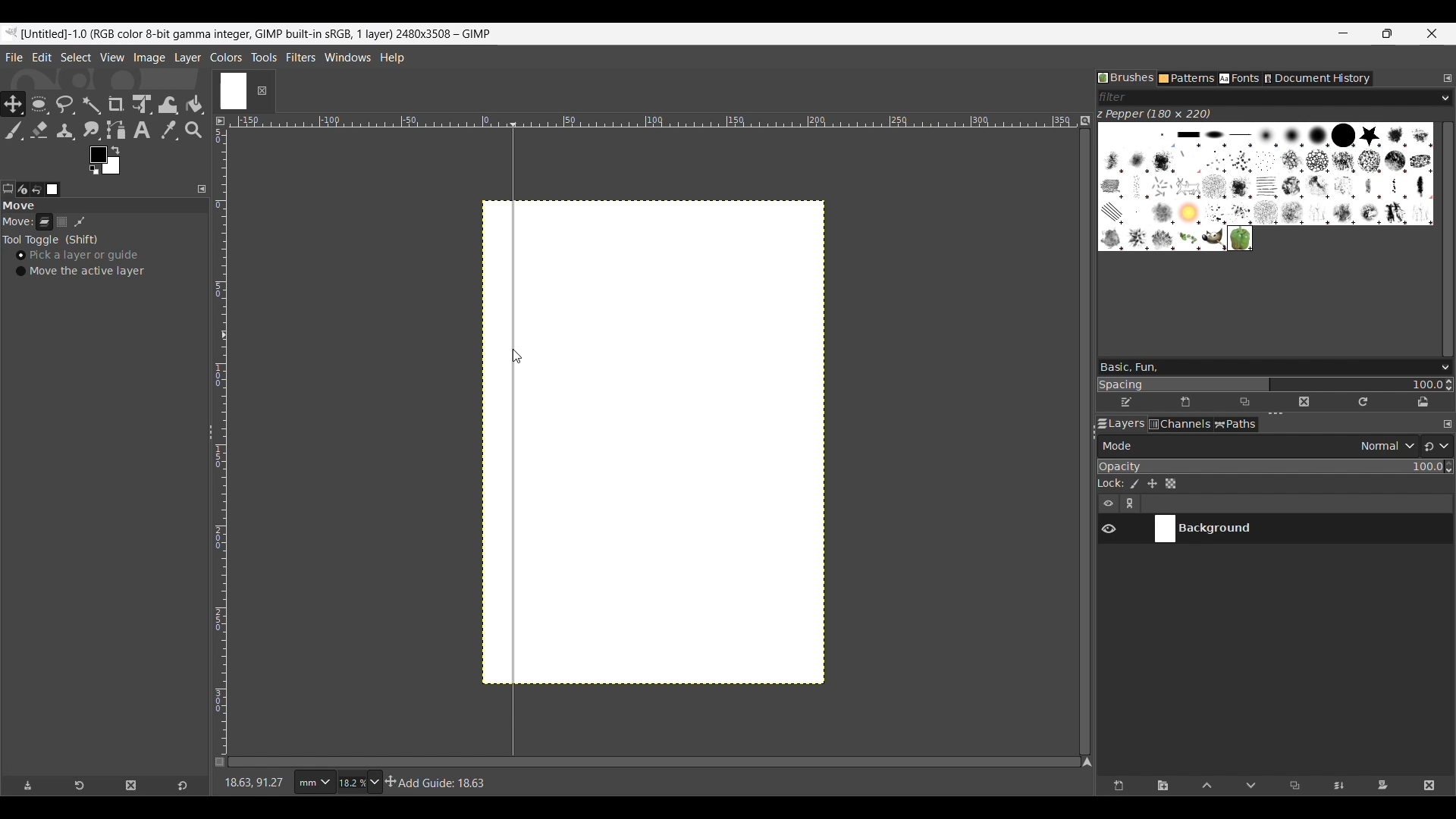  What do you see at coordinates (116, 104) in the screenshot?
I see `Crop tool` at bounding box center [116, 104].